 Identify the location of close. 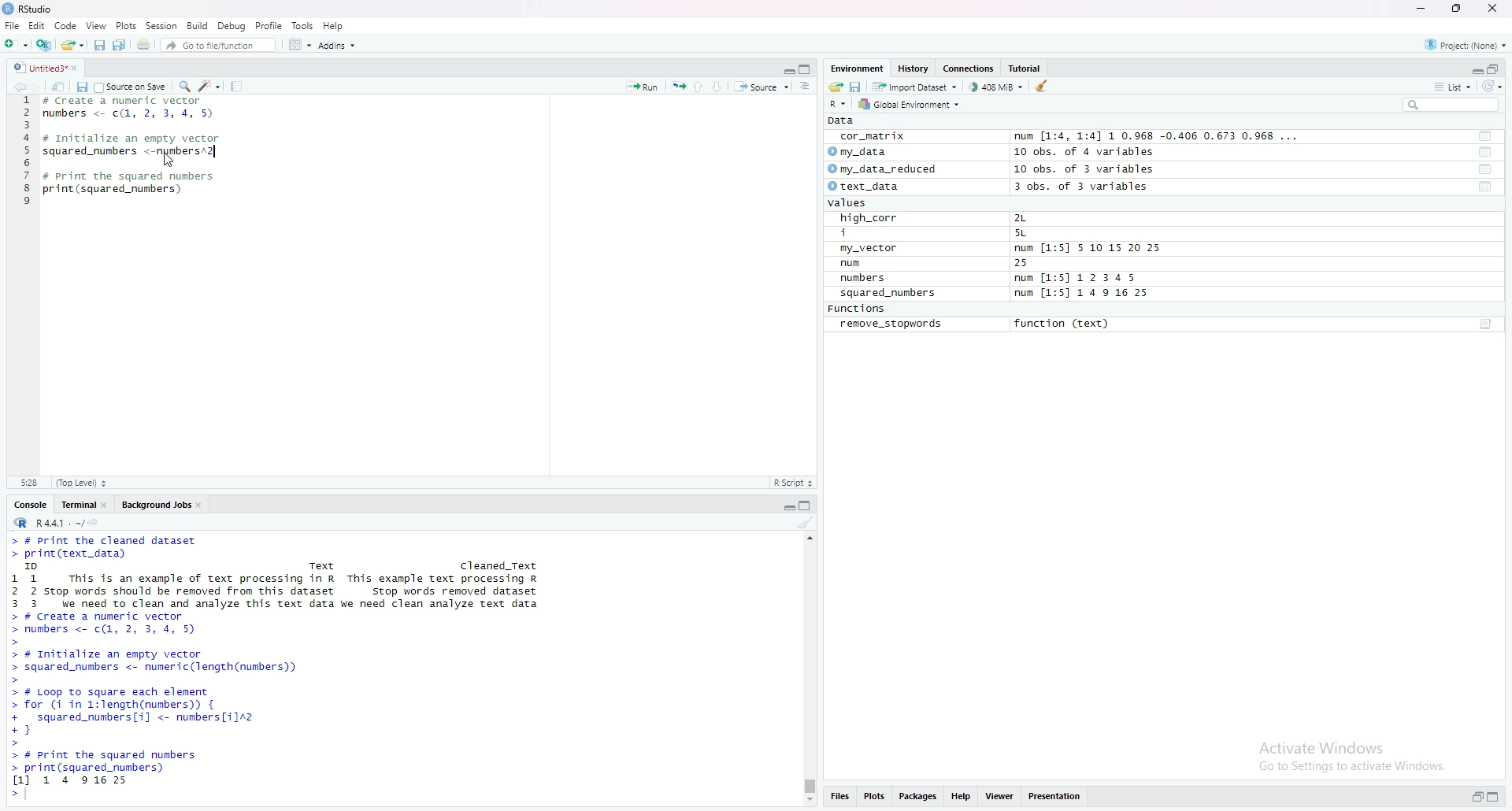
(202, 503).